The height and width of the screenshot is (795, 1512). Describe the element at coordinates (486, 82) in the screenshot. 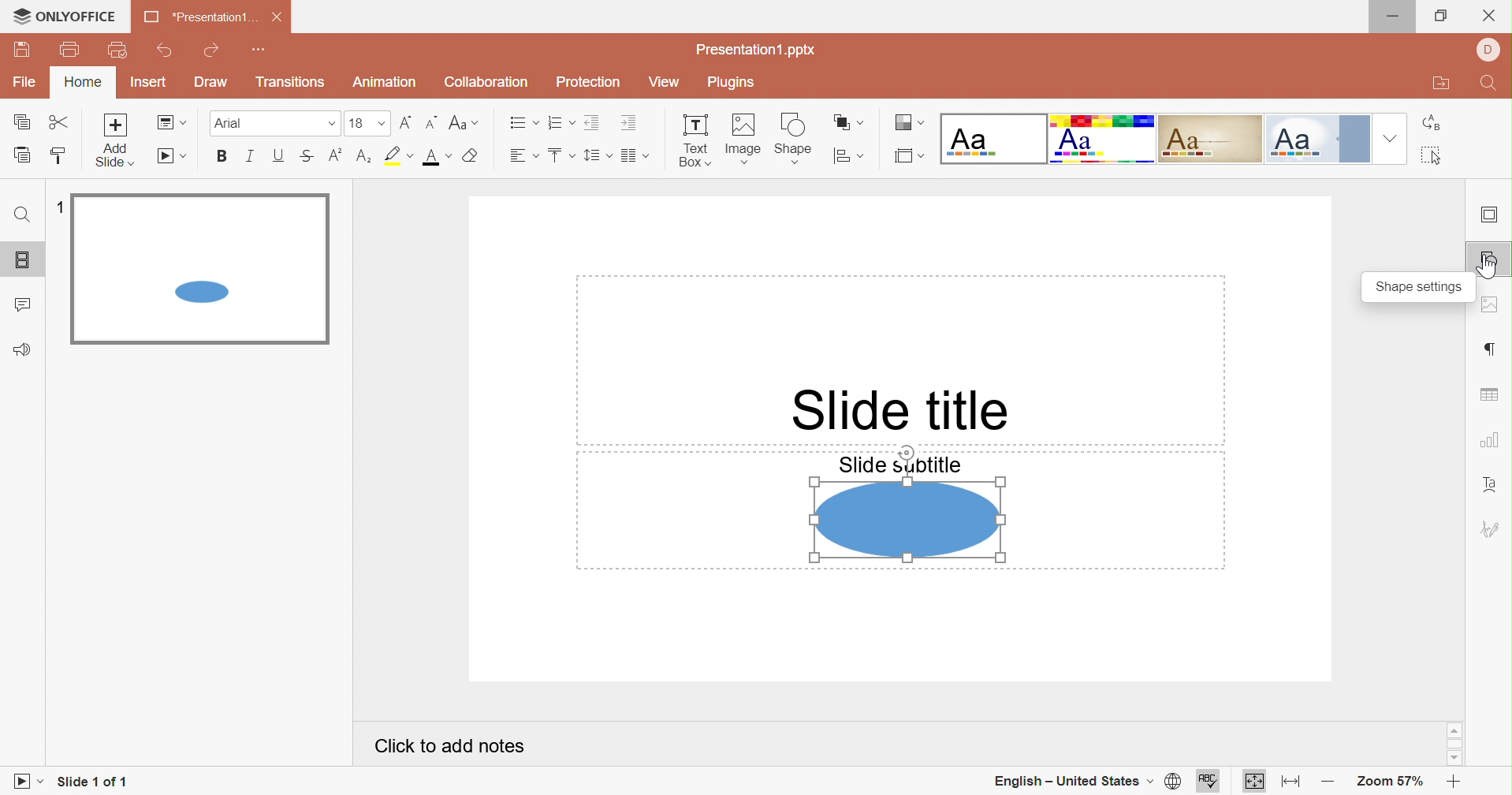

I see `Collaboration` at that location.